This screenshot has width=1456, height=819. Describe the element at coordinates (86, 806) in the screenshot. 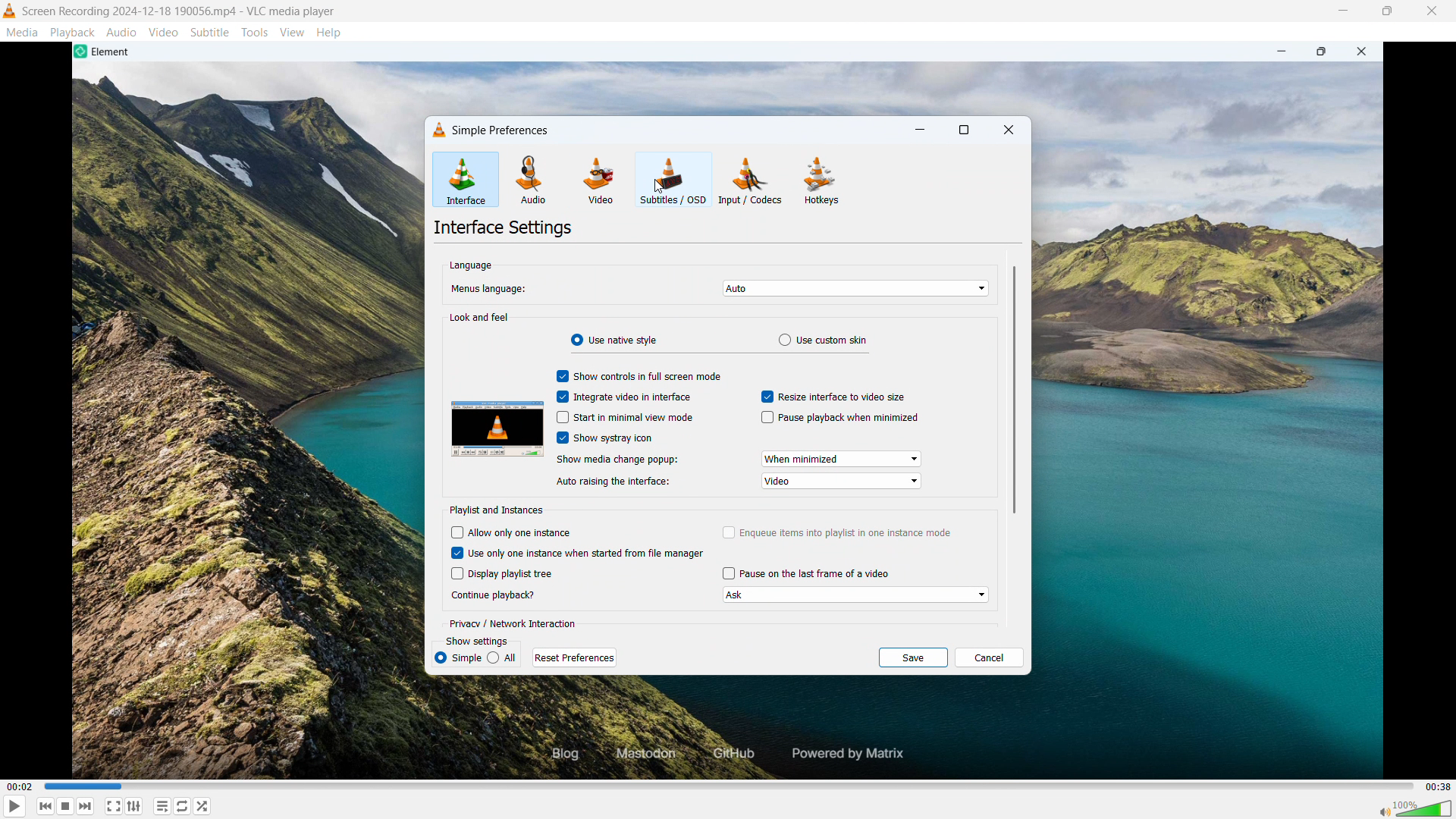

I see `Backward or previous media ` at that location.